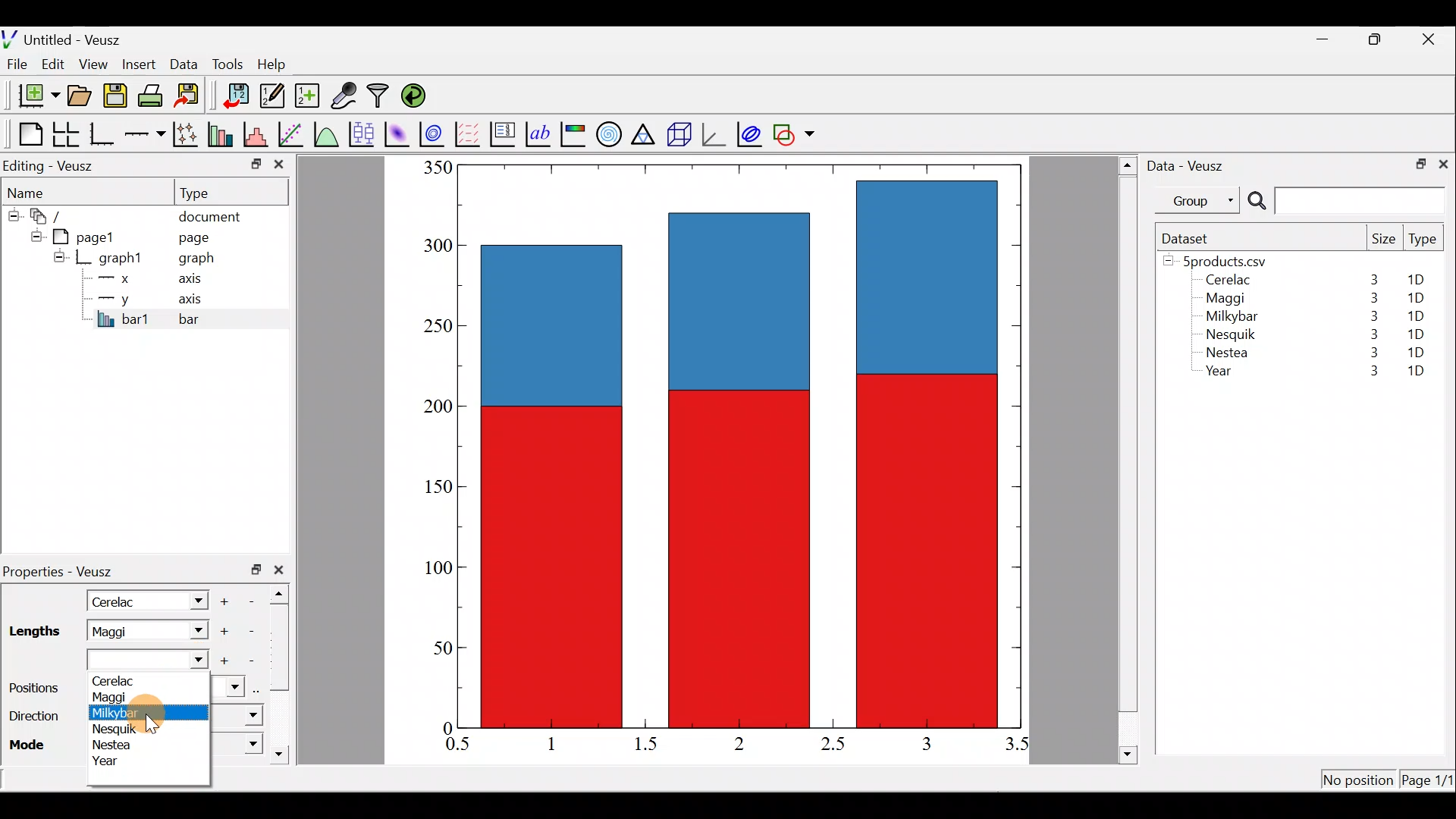 The height and width of the screenshot is (819, 1456). What do you see at coordinates (192, 96) in the screenshot?
I see `Export to graphics format` at bounding box center [192, 96].